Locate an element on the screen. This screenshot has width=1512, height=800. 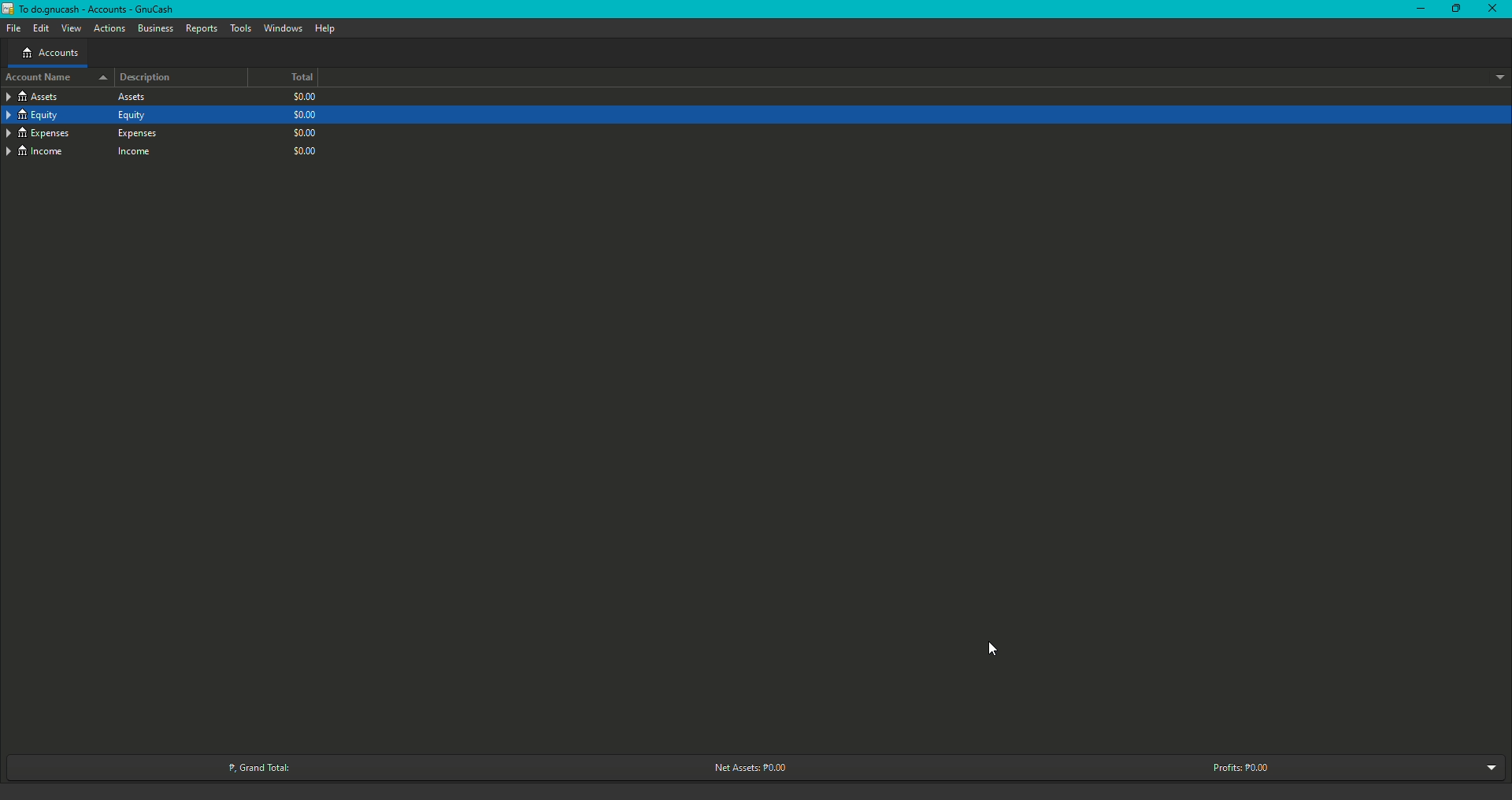
$0 is located at coordinates (308, 150).